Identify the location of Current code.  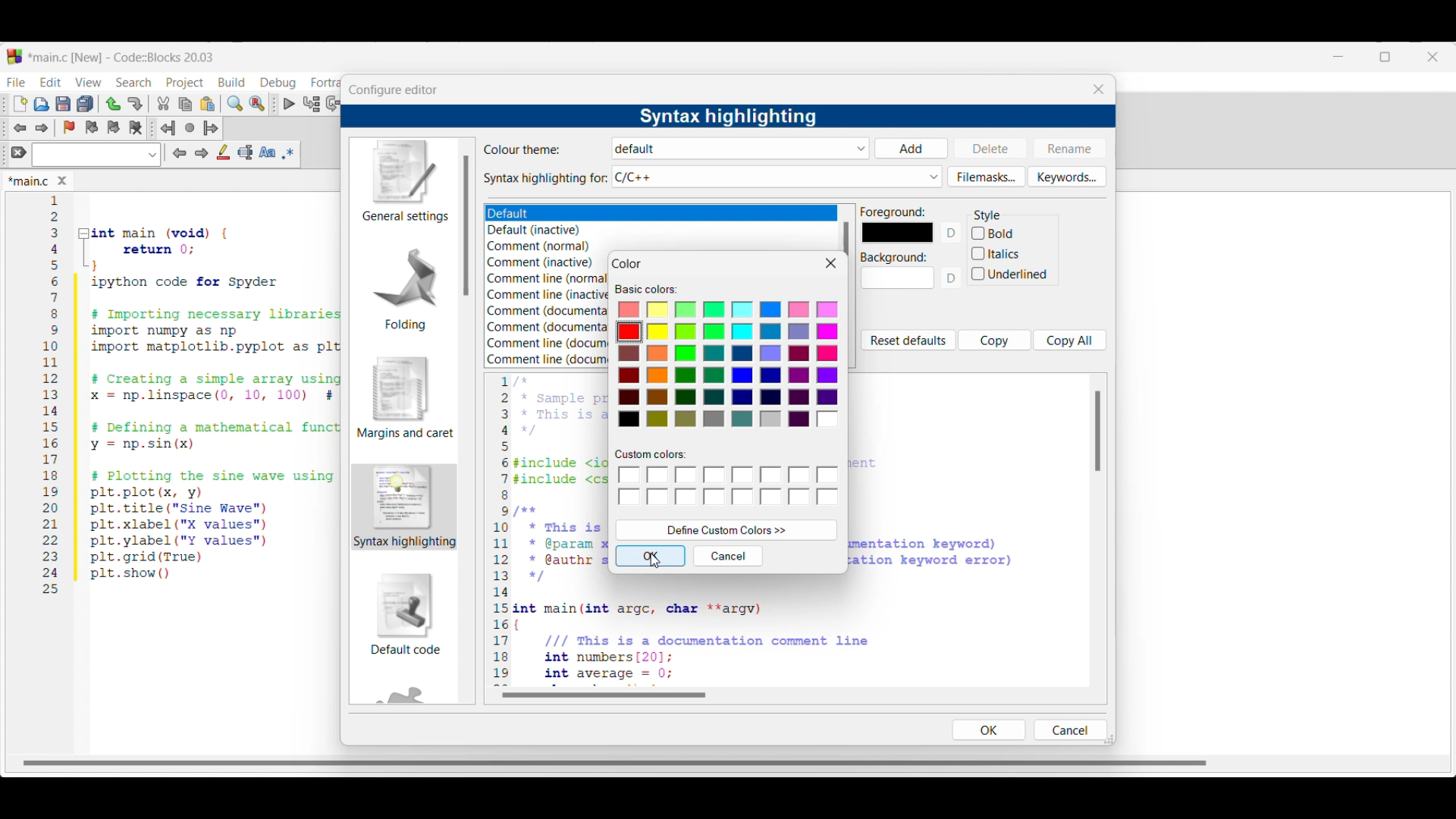
(193, 395).